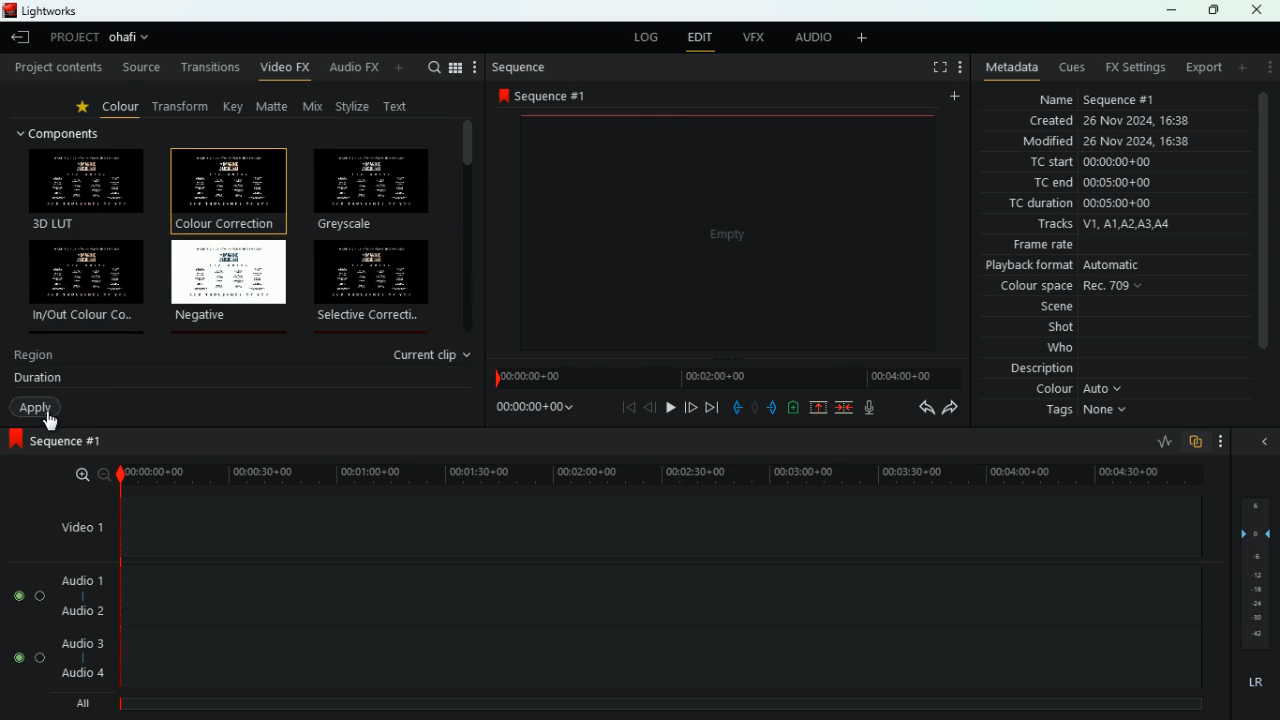  What do you see at coordinates (8, 10) in the screenshot?
I see `lightworks logo` at bounding box center [8, 10].